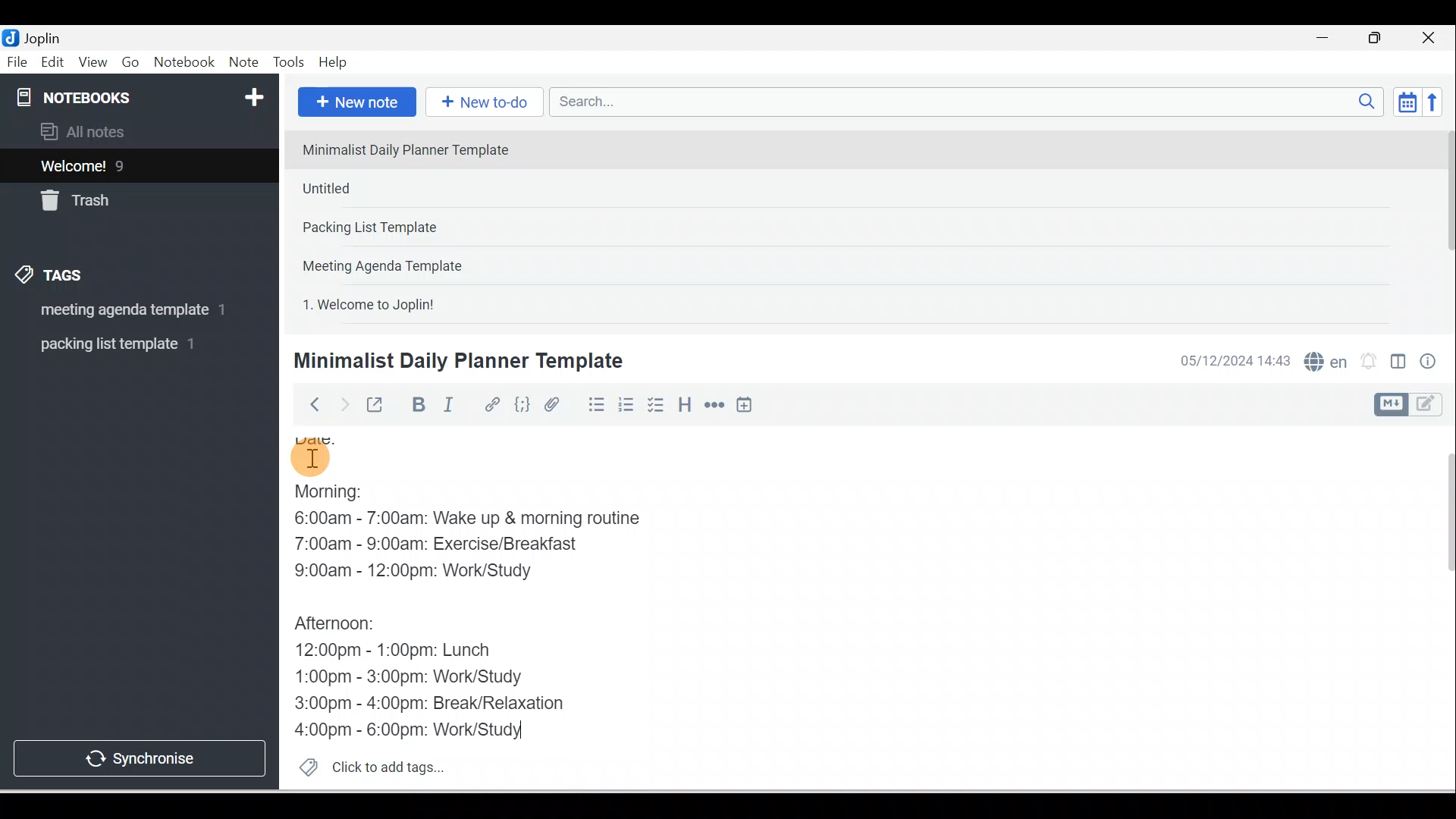  Describe the element at coordinates (491, 406) in the screenshot. I see `Hyperlink` at that location.